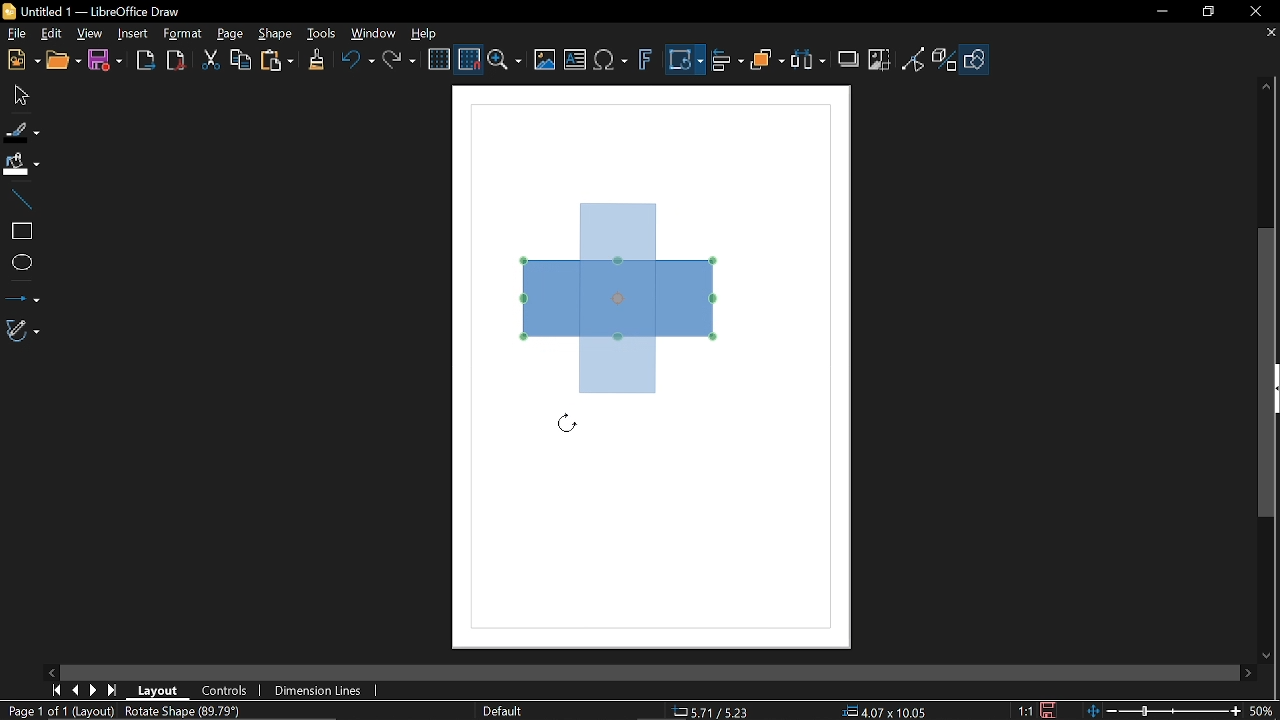 The image size is (1280, 720). Describe the element at coordinates (112, 691) in the screenshot. I see `Last page` at that location.